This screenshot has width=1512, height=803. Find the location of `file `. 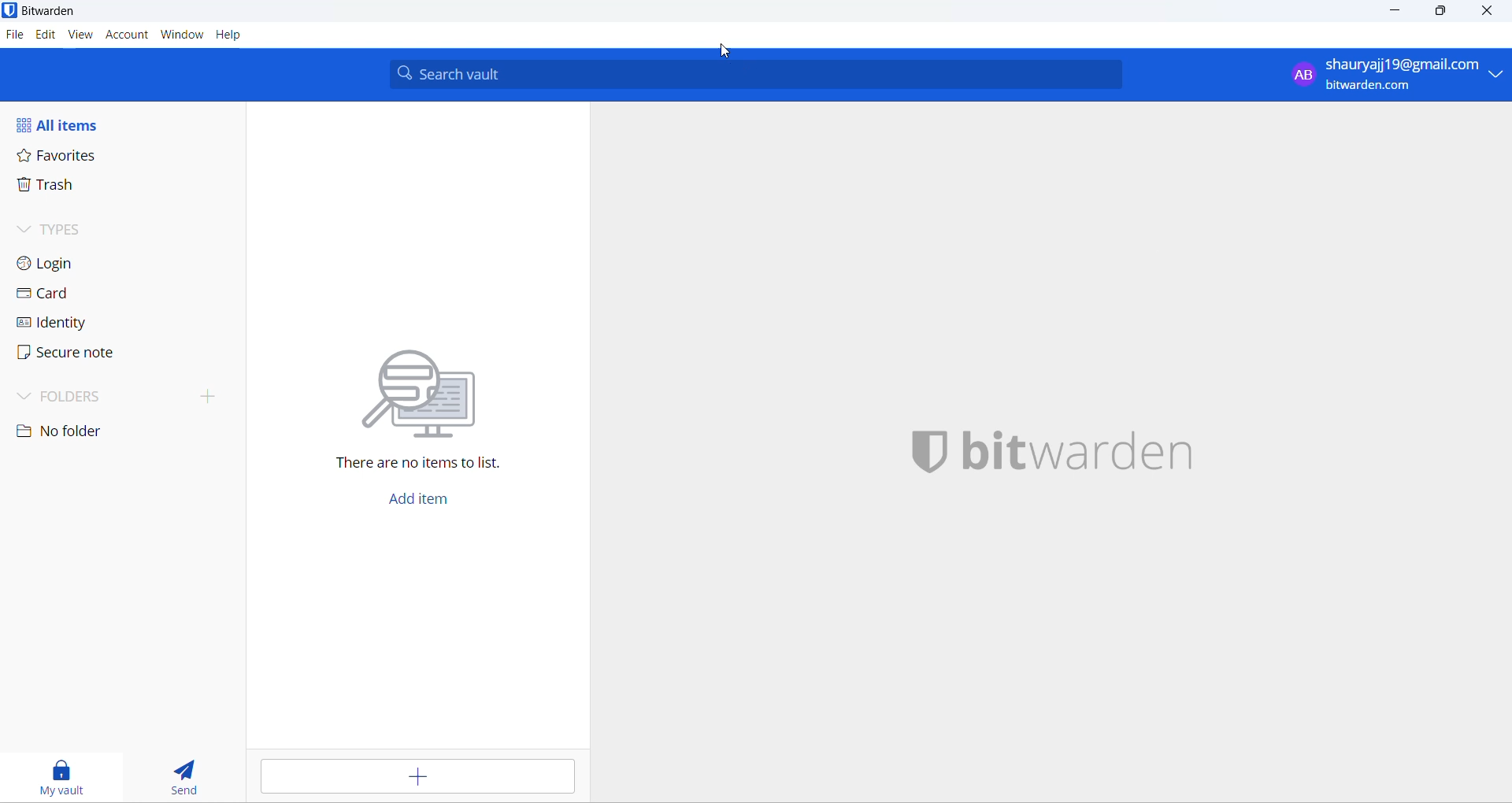

file  is located at coordinates (17, 37).